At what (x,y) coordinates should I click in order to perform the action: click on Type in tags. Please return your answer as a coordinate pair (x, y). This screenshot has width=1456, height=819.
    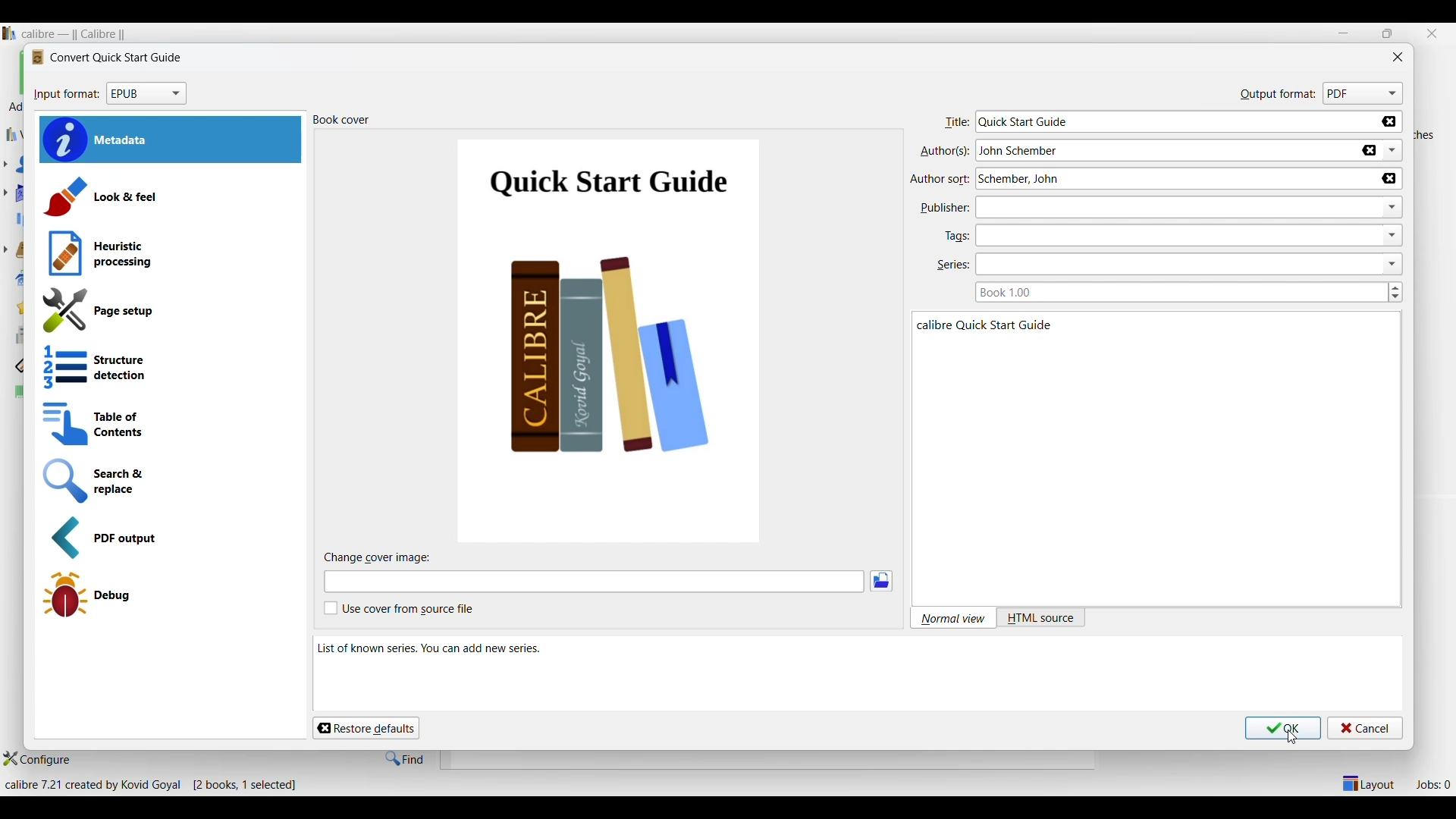
    Looking at the image, I should click on (1156, 235).